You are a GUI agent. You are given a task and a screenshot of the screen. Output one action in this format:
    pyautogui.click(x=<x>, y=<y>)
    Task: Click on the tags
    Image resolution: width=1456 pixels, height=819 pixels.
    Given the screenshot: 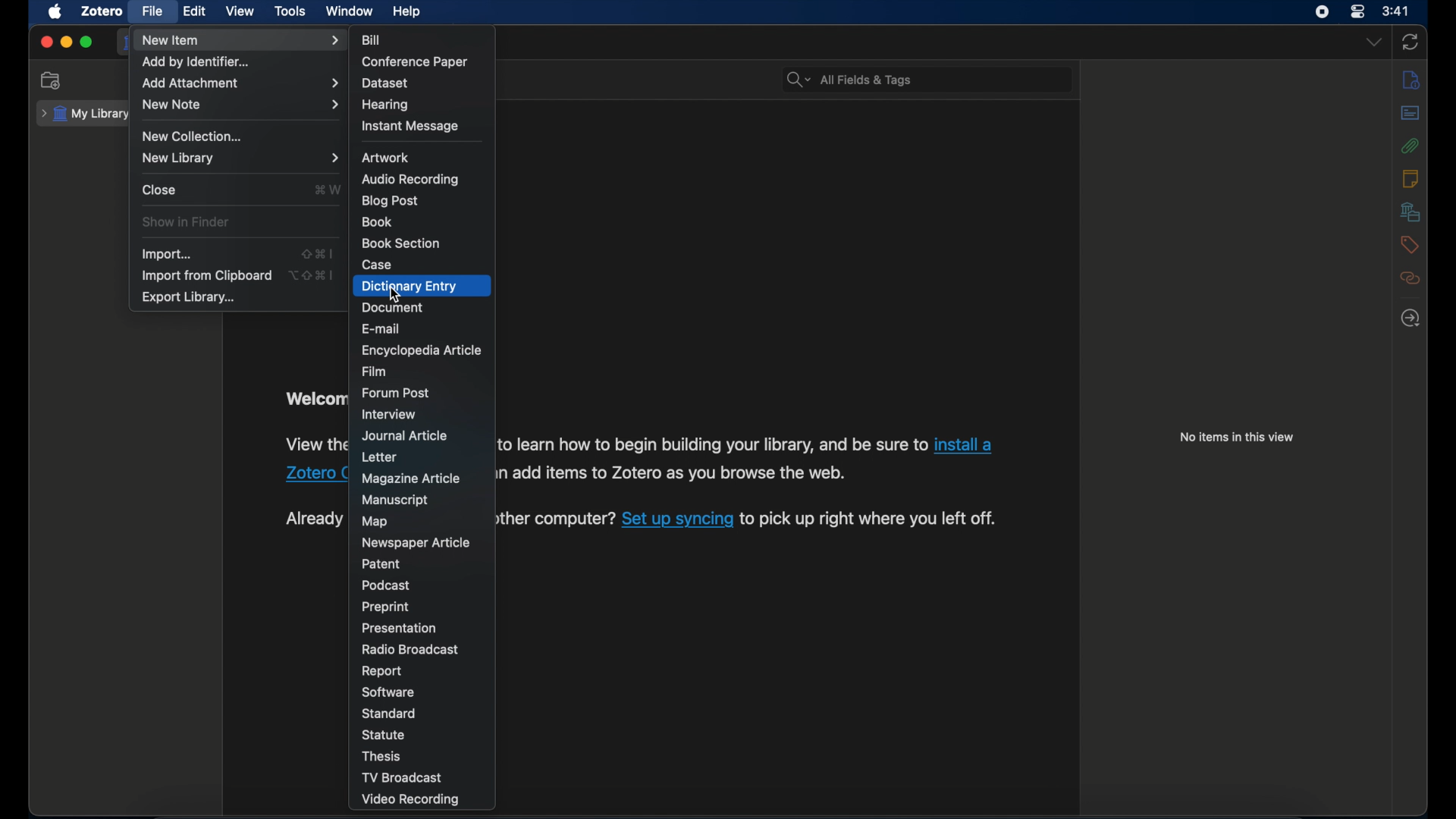 What is the action you would take?
    pyautogui.click(x=1410, y=245)
    